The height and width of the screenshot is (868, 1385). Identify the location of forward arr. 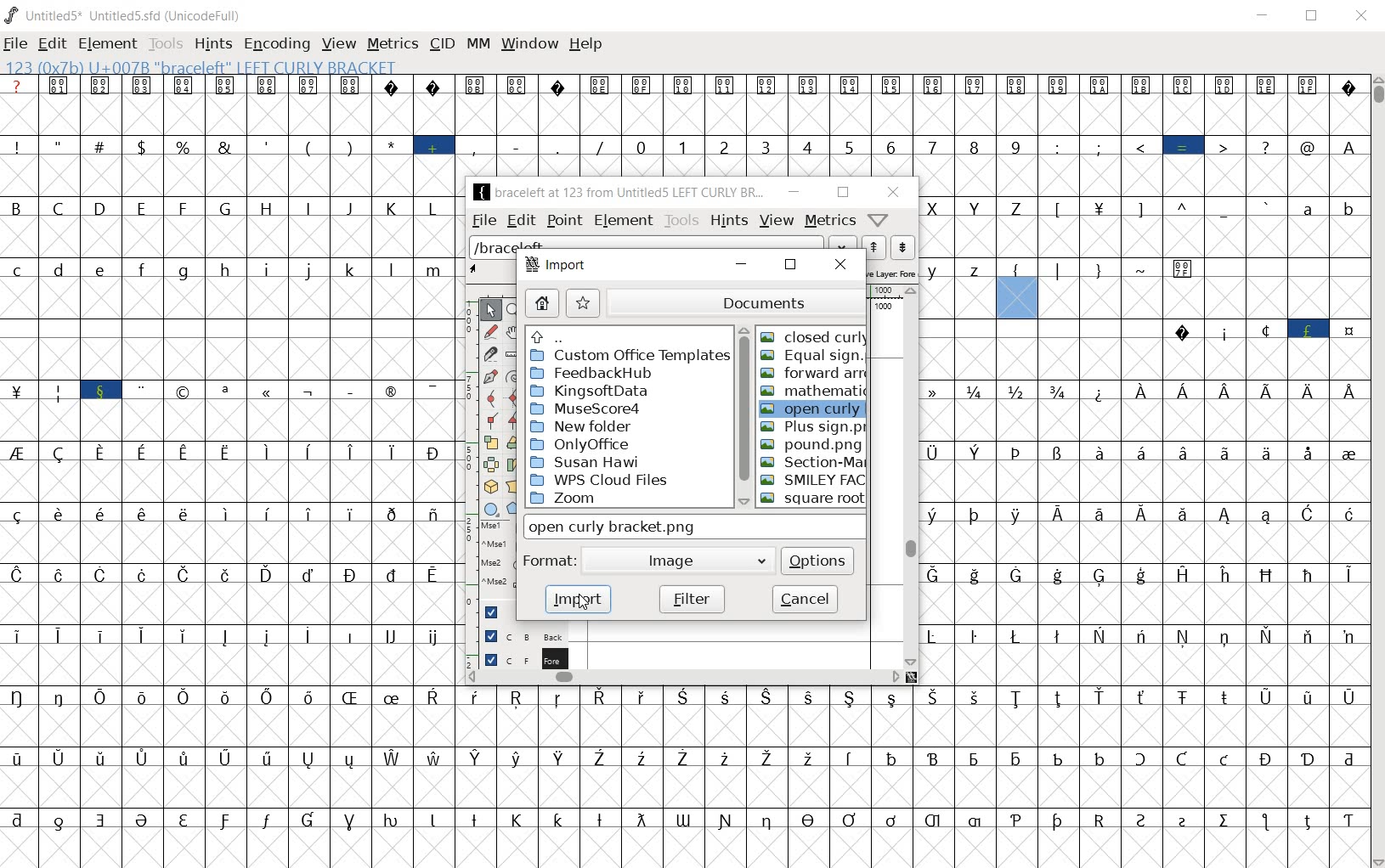
(816, 374).